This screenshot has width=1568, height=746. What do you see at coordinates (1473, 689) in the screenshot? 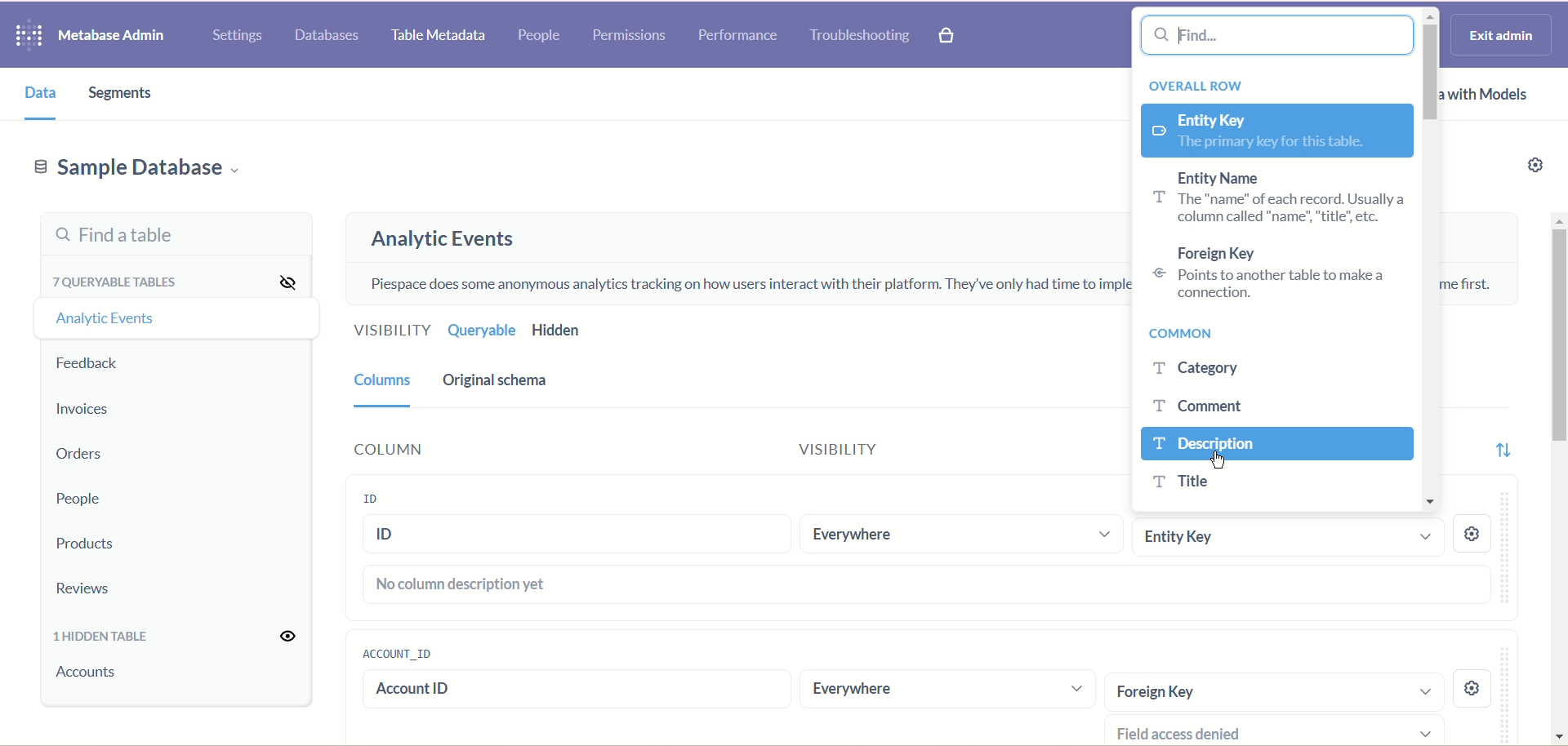
I see `setting` at bounding box center [1473, 689].